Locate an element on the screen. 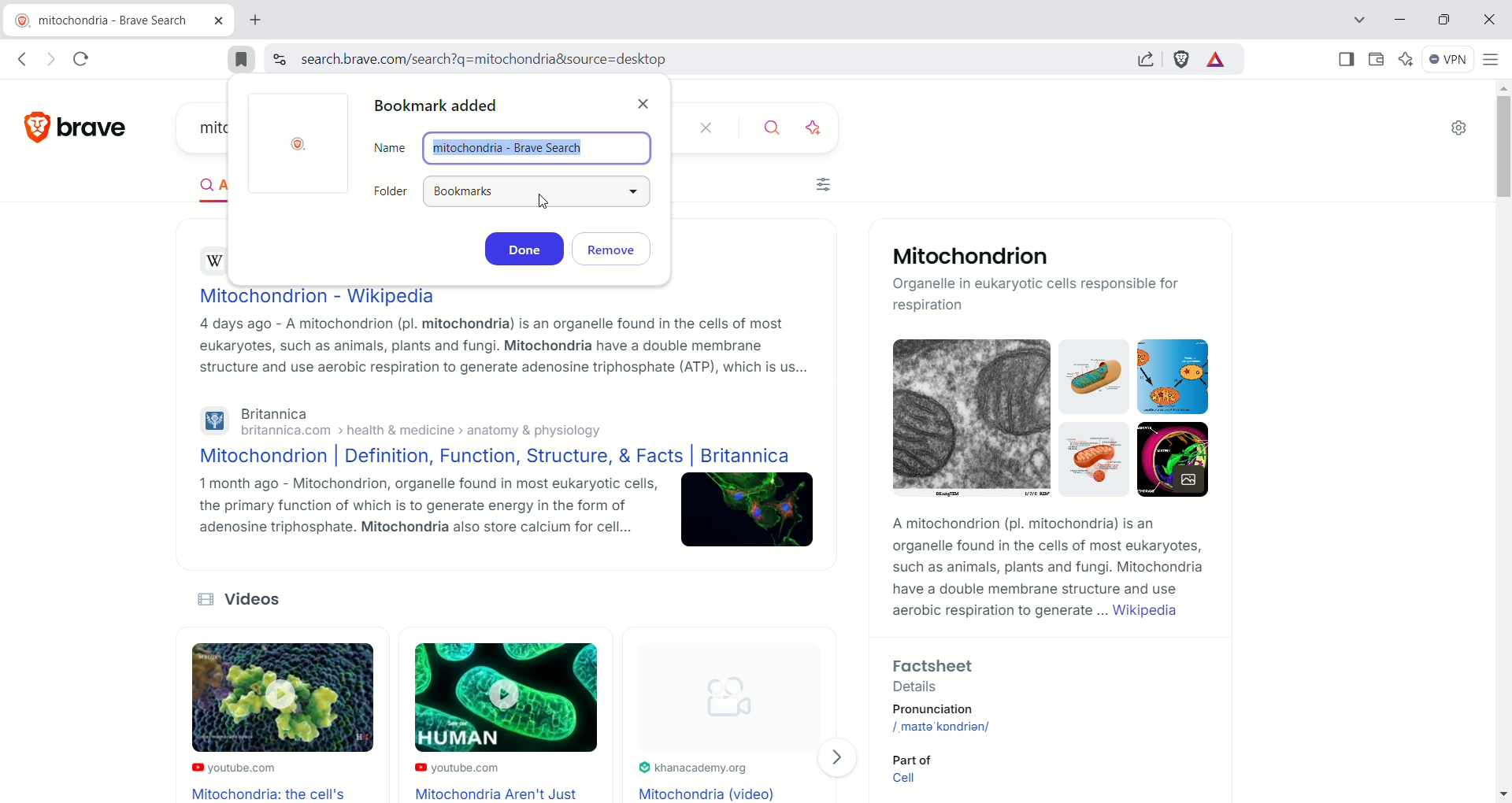  1 month ago - Mitochondrion, organelle found in most eukaryotic cells,
the primary function of which is to generate energy in the form of
adenosine triphosphate. Mitochondria also store calcium for cell... is located at coordinates (413, 511).